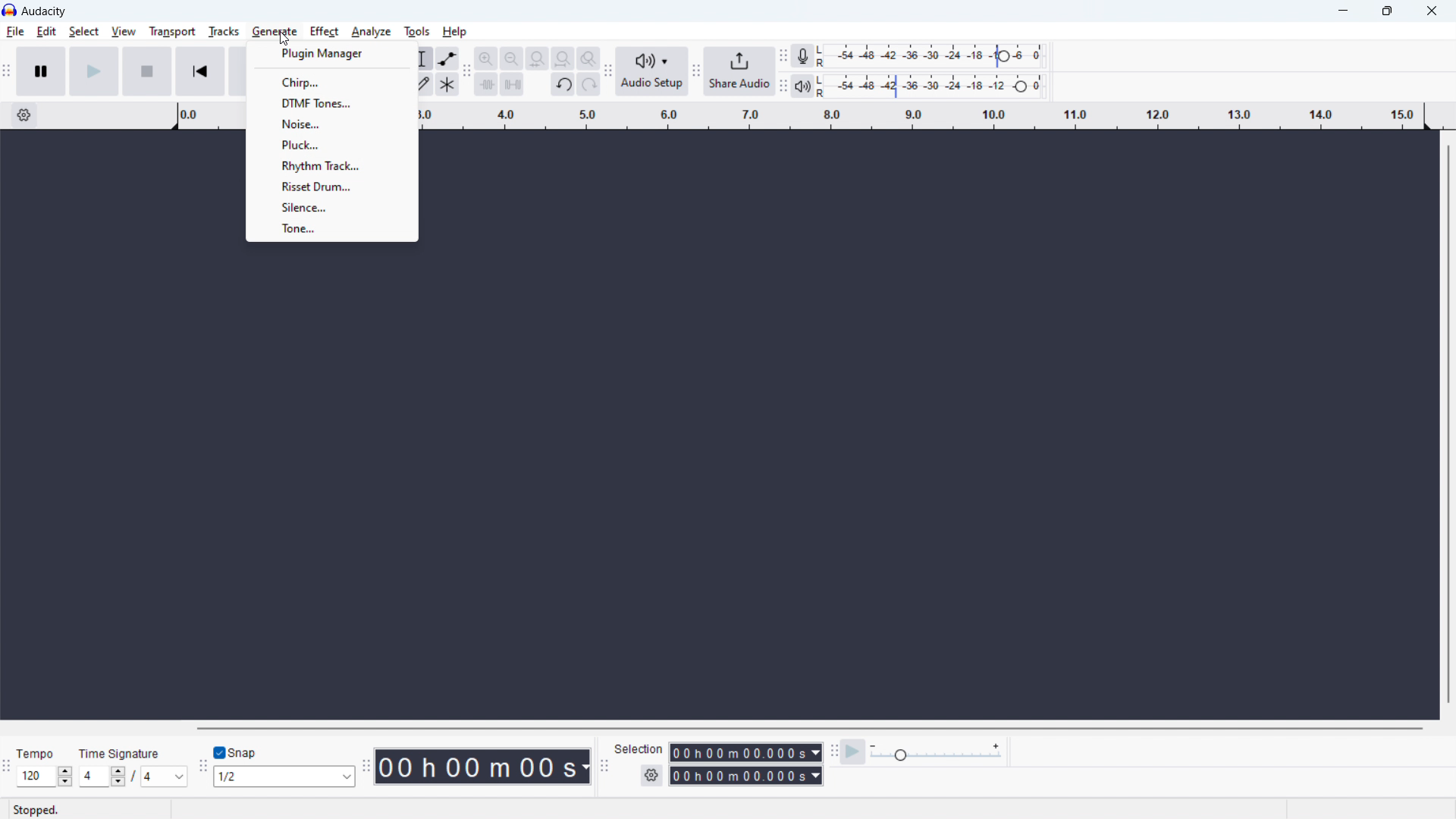 The width and height of the screenshot is (1456, 819). I want to click on edit toolbar, so click(468, 71).